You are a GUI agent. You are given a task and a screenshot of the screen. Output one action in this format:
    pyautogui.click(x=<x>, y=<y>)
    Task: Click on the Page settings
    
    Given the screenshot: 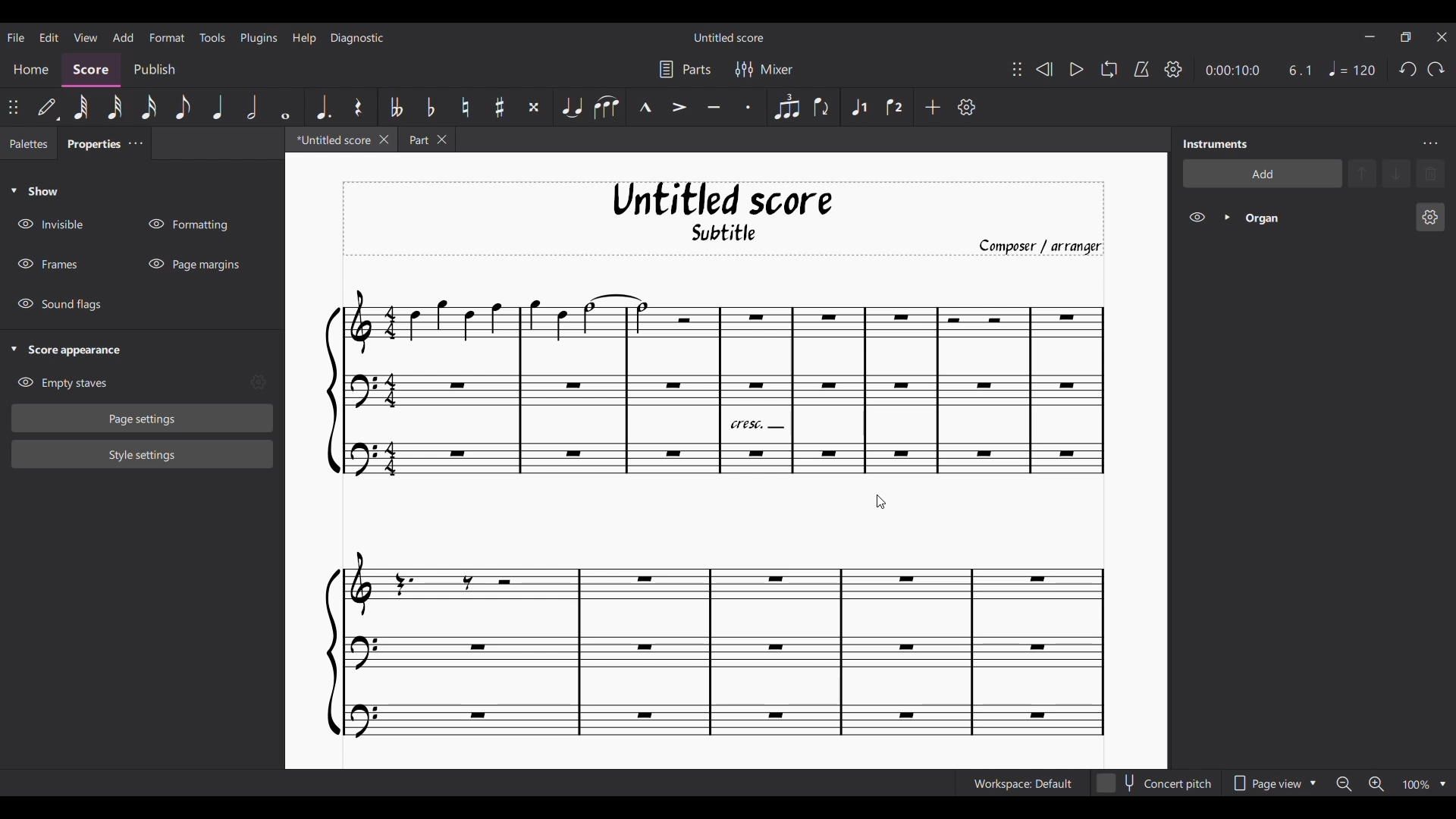 What is the action you would take?
    pyautogui.click(x=143, y=419)
    